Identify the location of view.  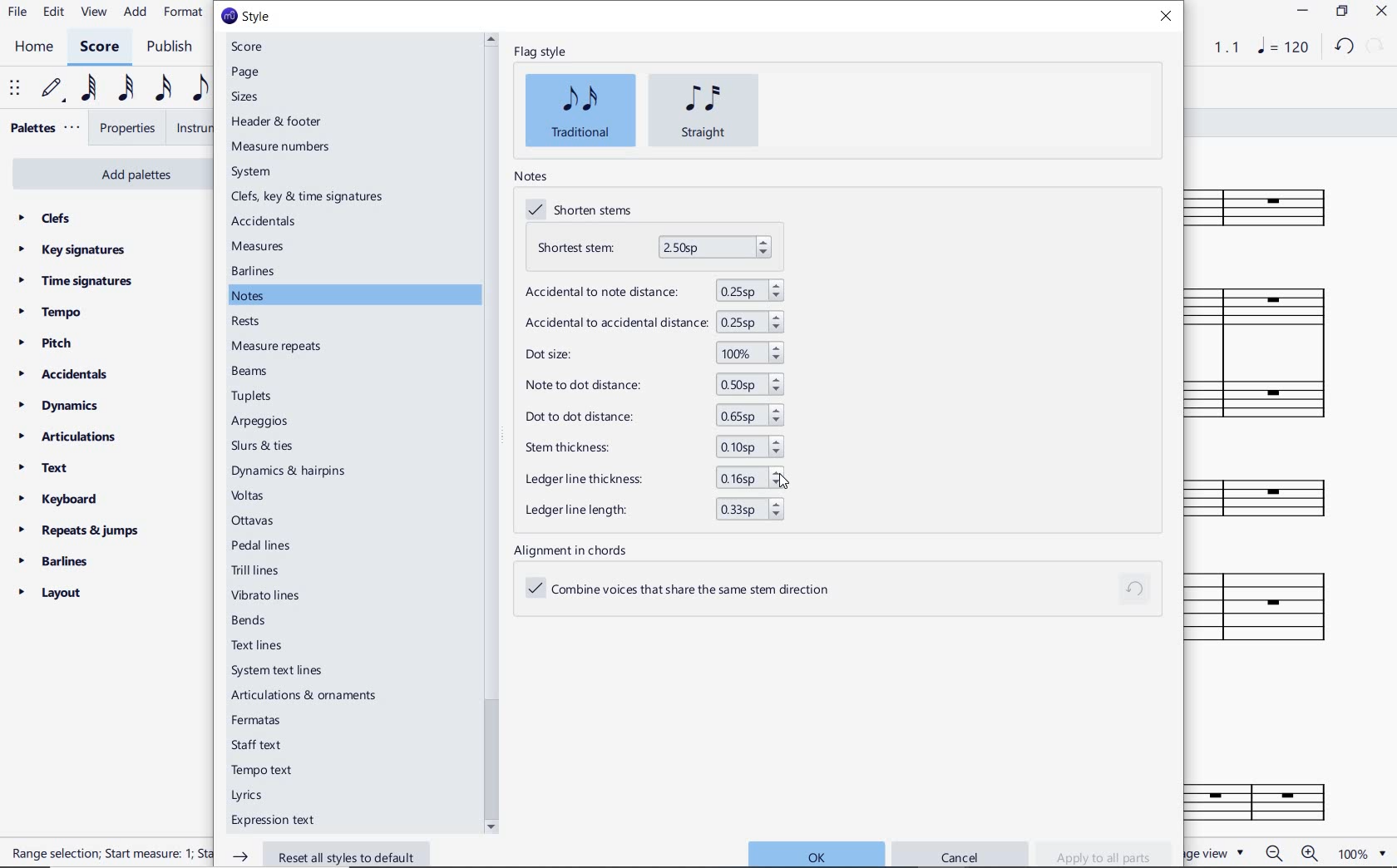
(91, 12).